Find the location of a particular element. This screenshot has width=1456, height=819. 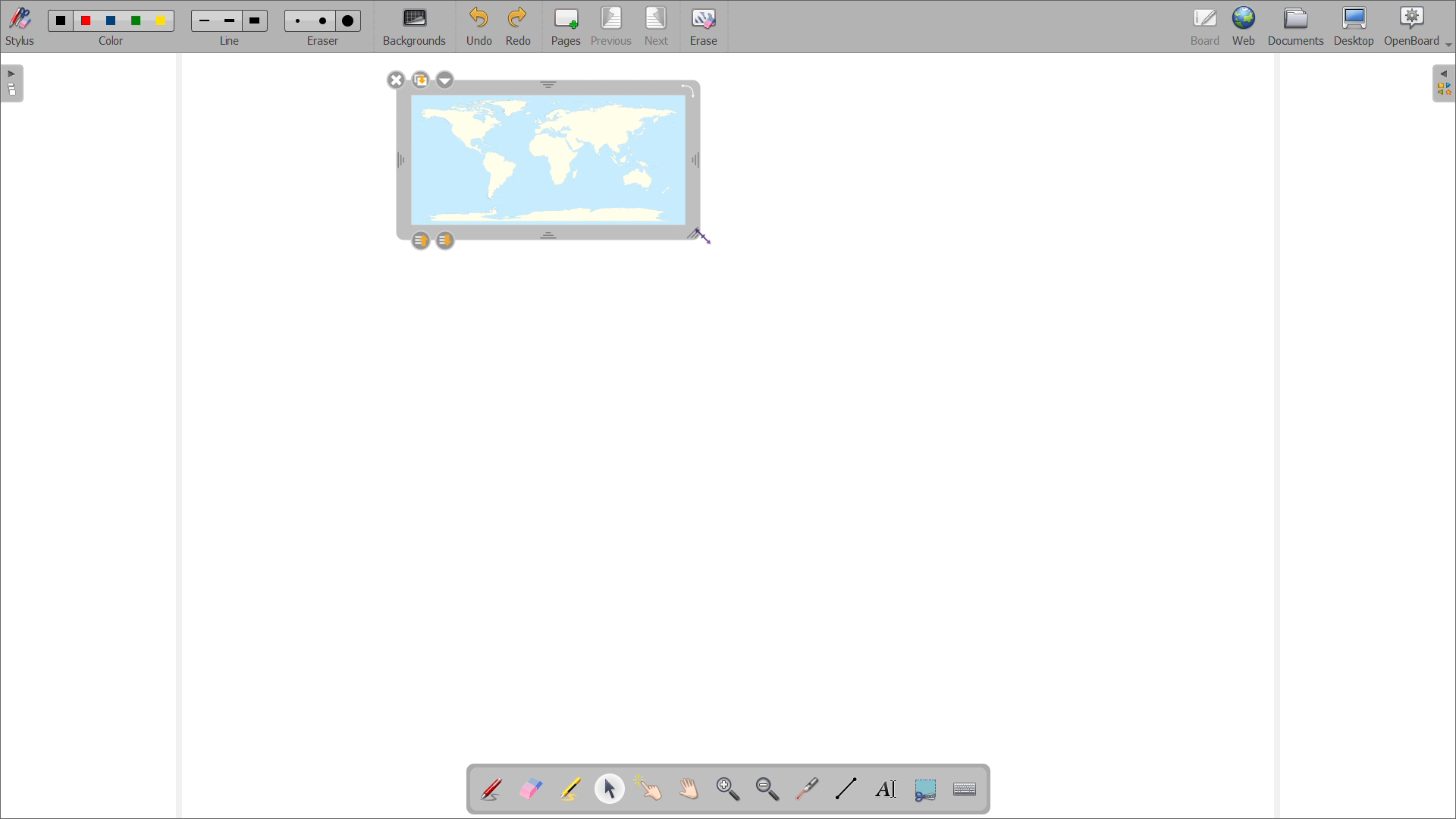

resize is located at coordinates (694, 159).